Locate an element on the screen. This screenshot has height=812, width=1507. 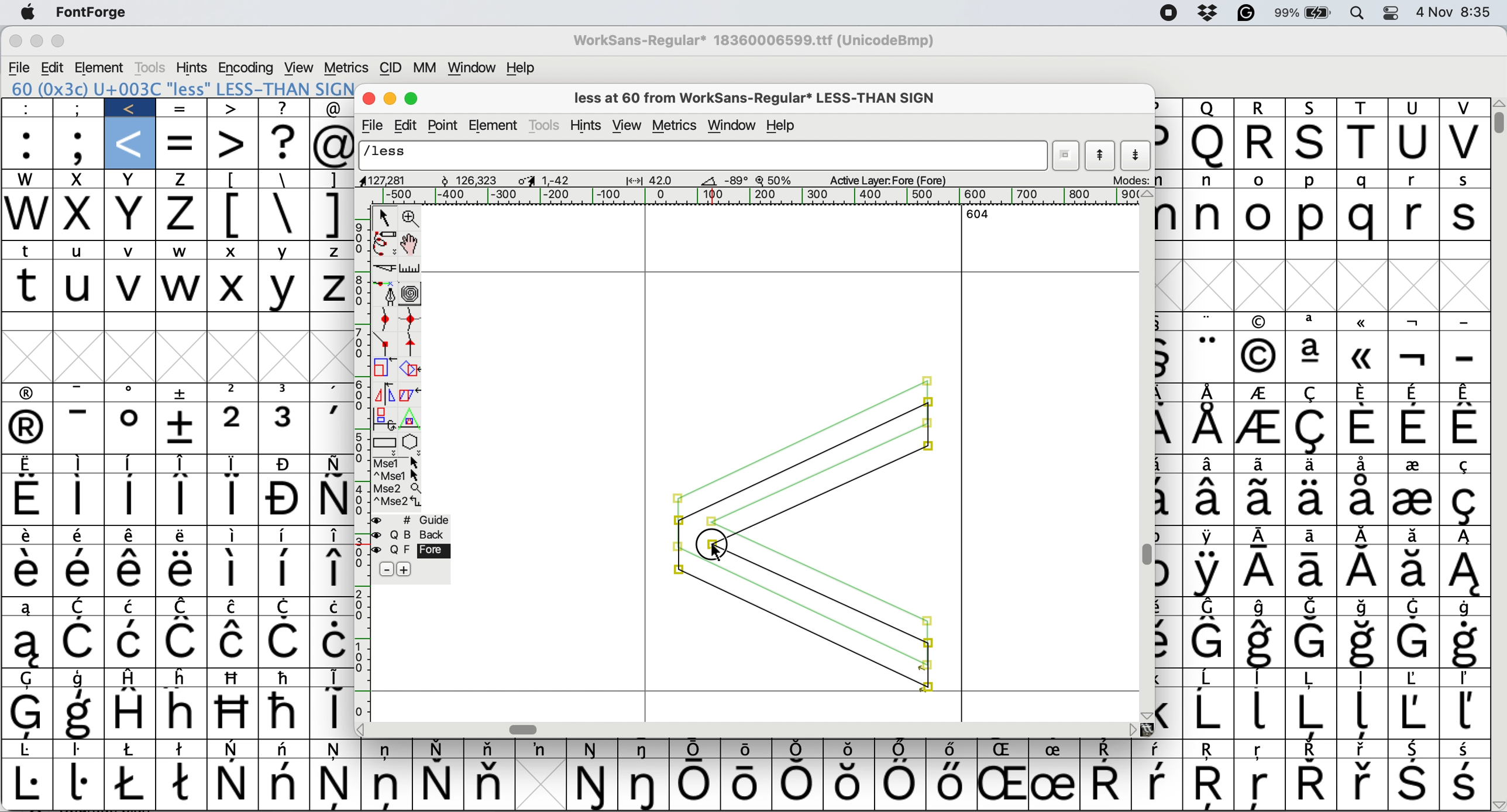
] is located at coordinates (329, 214).